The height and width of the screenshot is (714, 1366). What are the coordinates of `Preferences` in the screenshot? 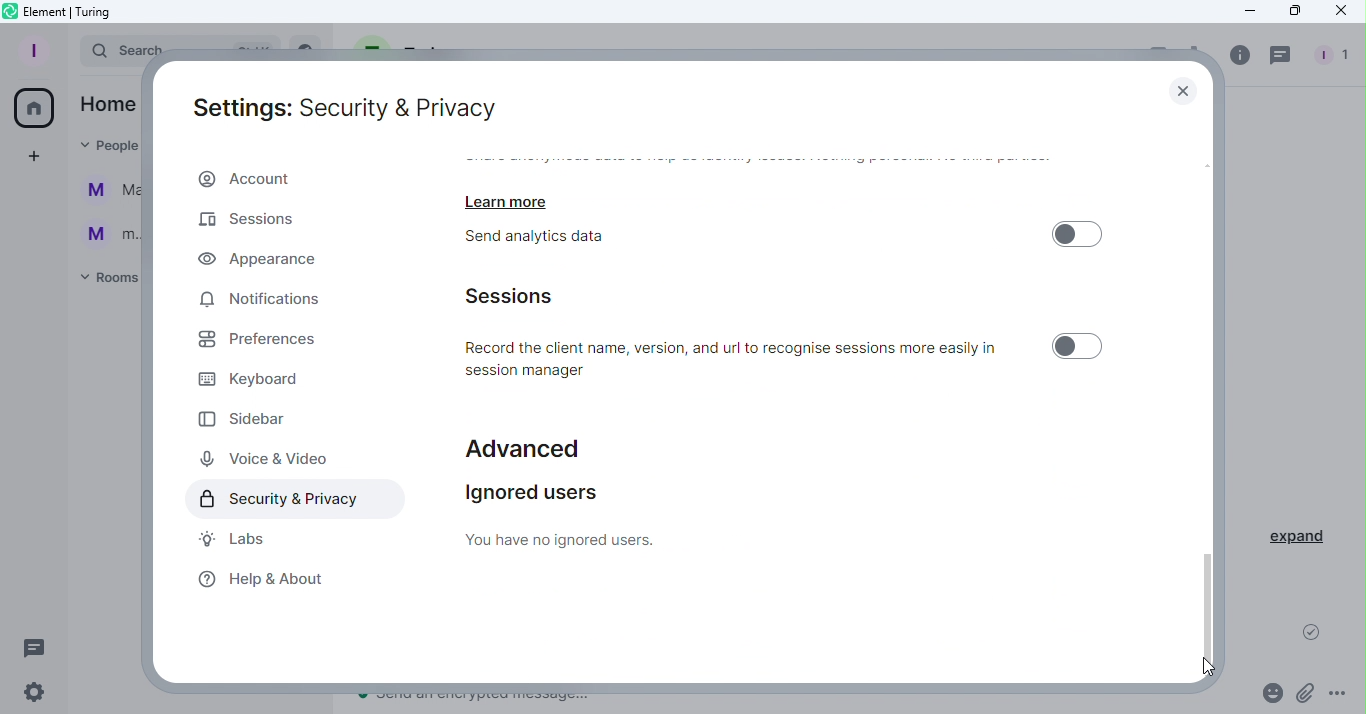 It's located at (276, 344).